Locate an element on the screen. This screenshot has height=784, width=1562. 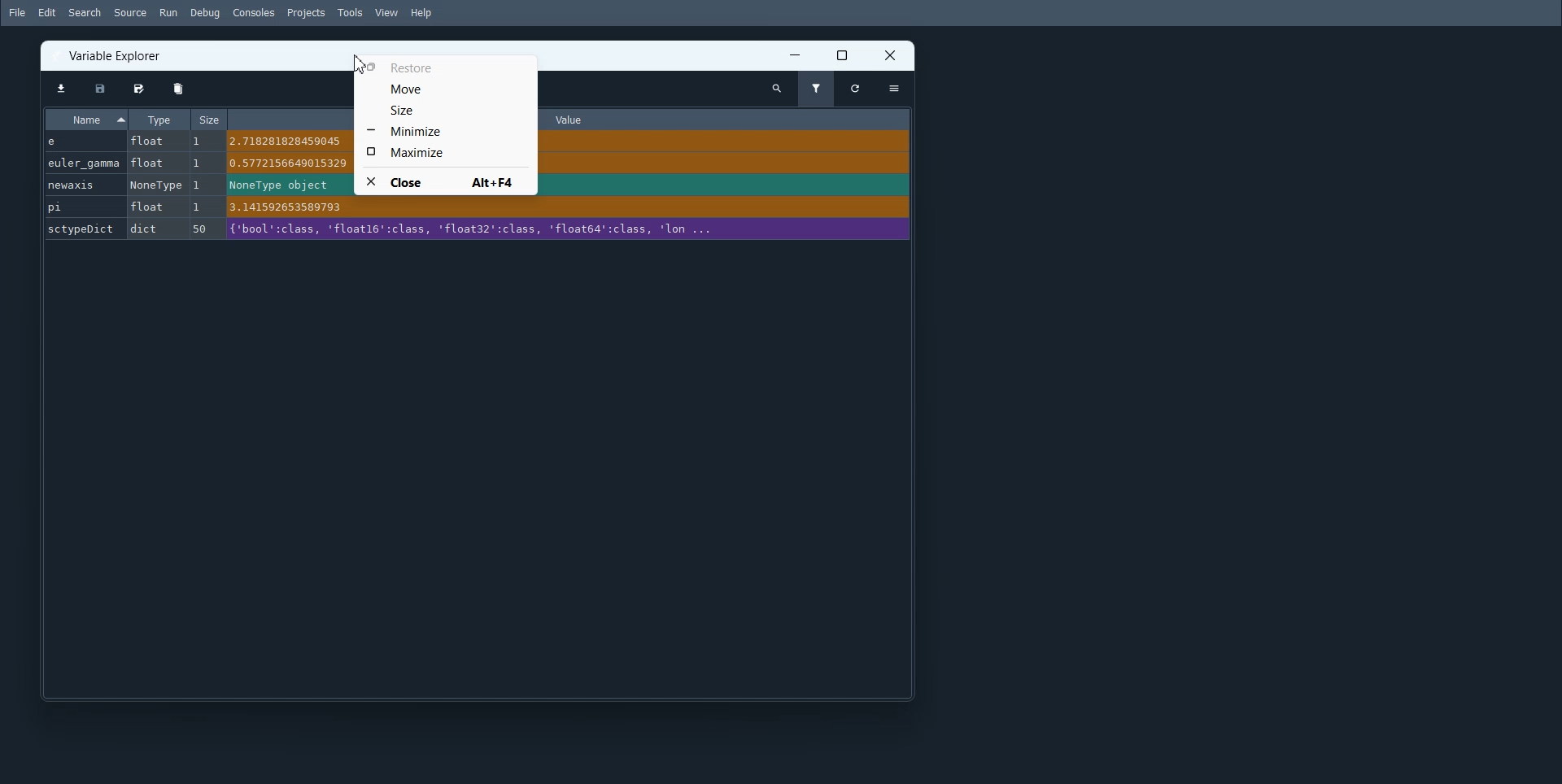
Restore is located at coordinates (444, 68).